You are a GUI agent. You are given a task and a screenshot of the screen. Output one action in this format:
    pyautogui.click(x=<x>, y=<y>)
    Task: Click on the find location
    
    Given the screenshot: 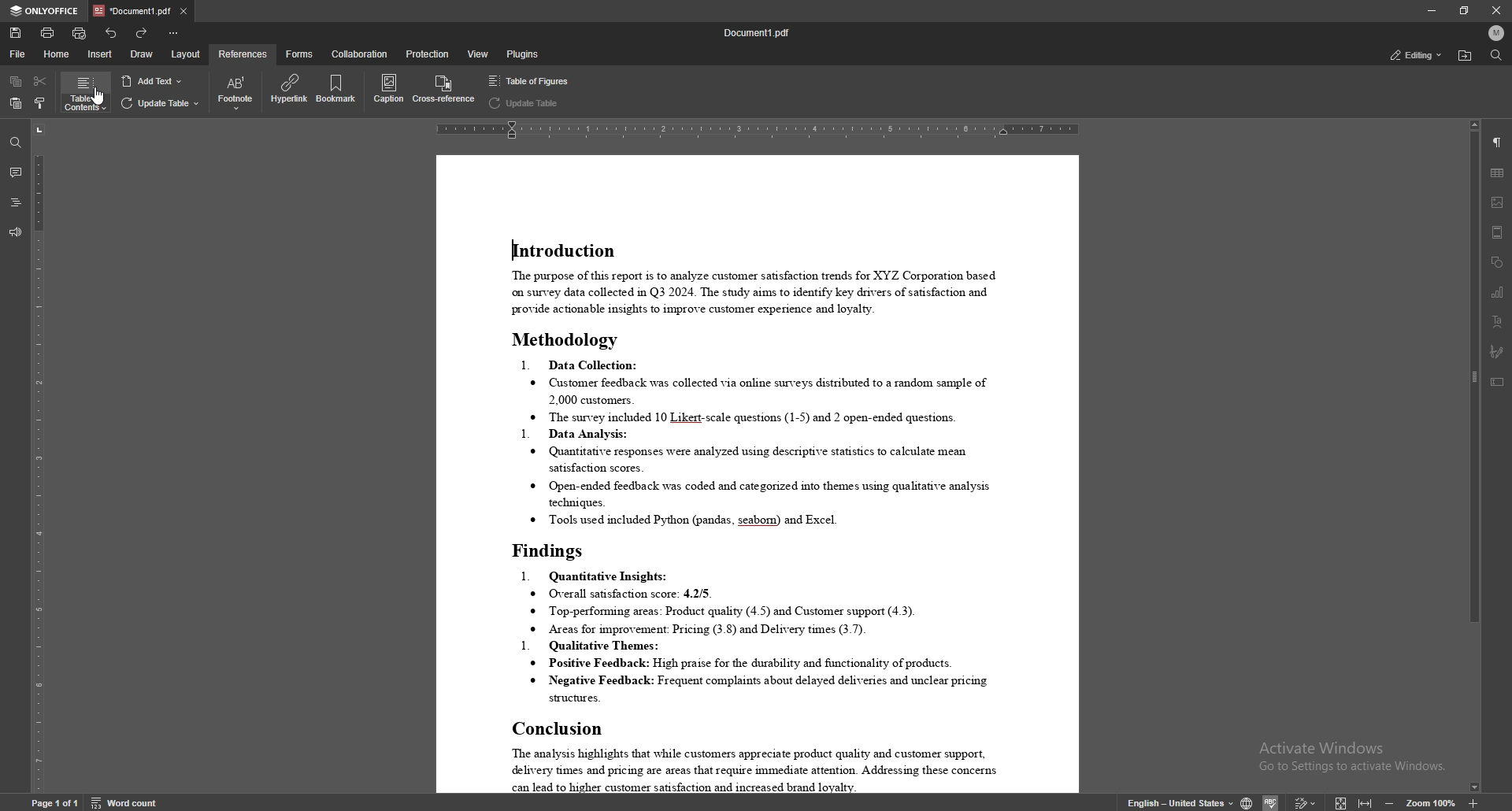 What is the action you would take?
    pyautogui.click(x=1466, y=56)
    